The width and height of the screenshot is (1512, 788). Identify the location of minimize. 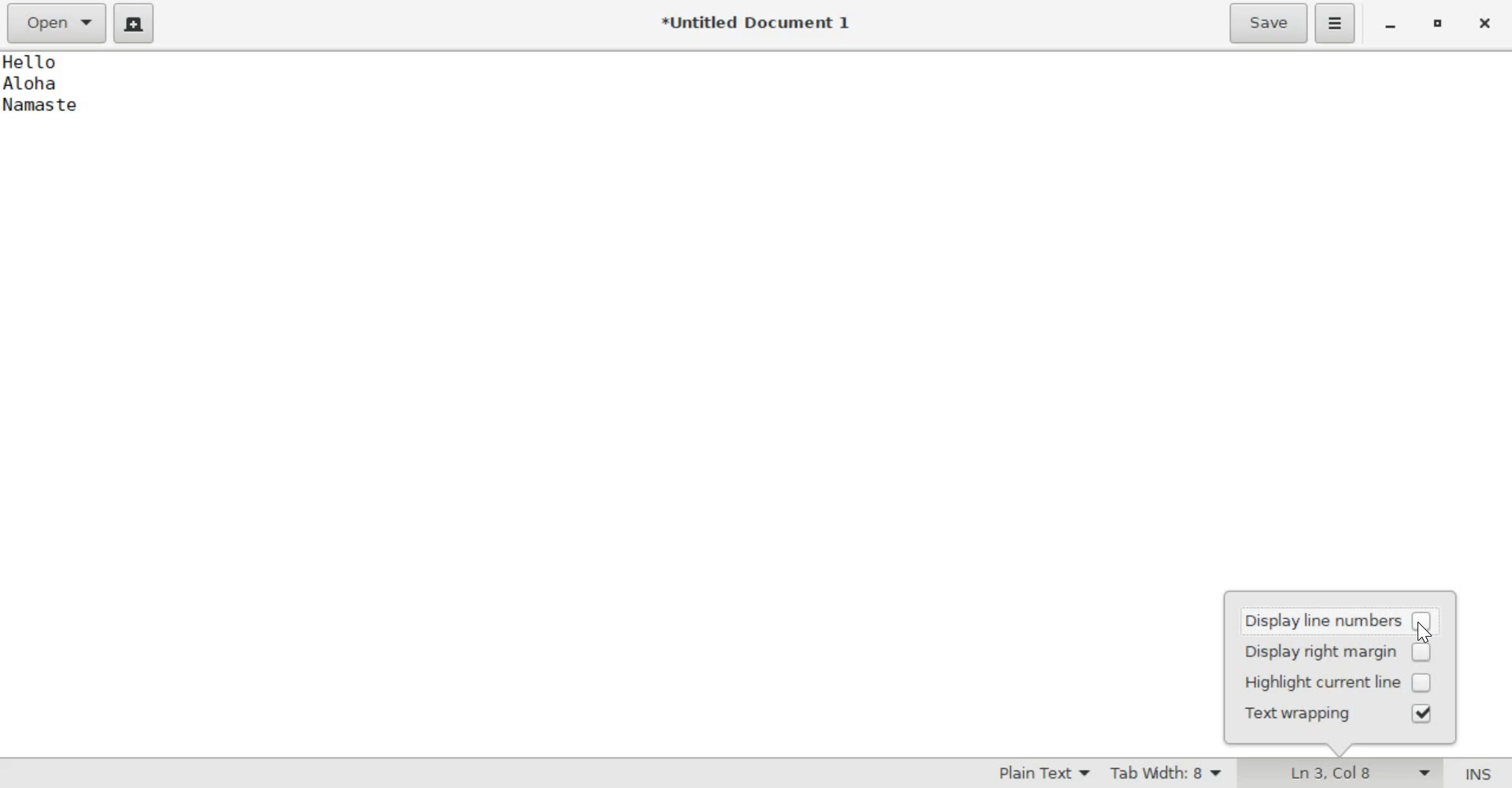
(1391, 24).